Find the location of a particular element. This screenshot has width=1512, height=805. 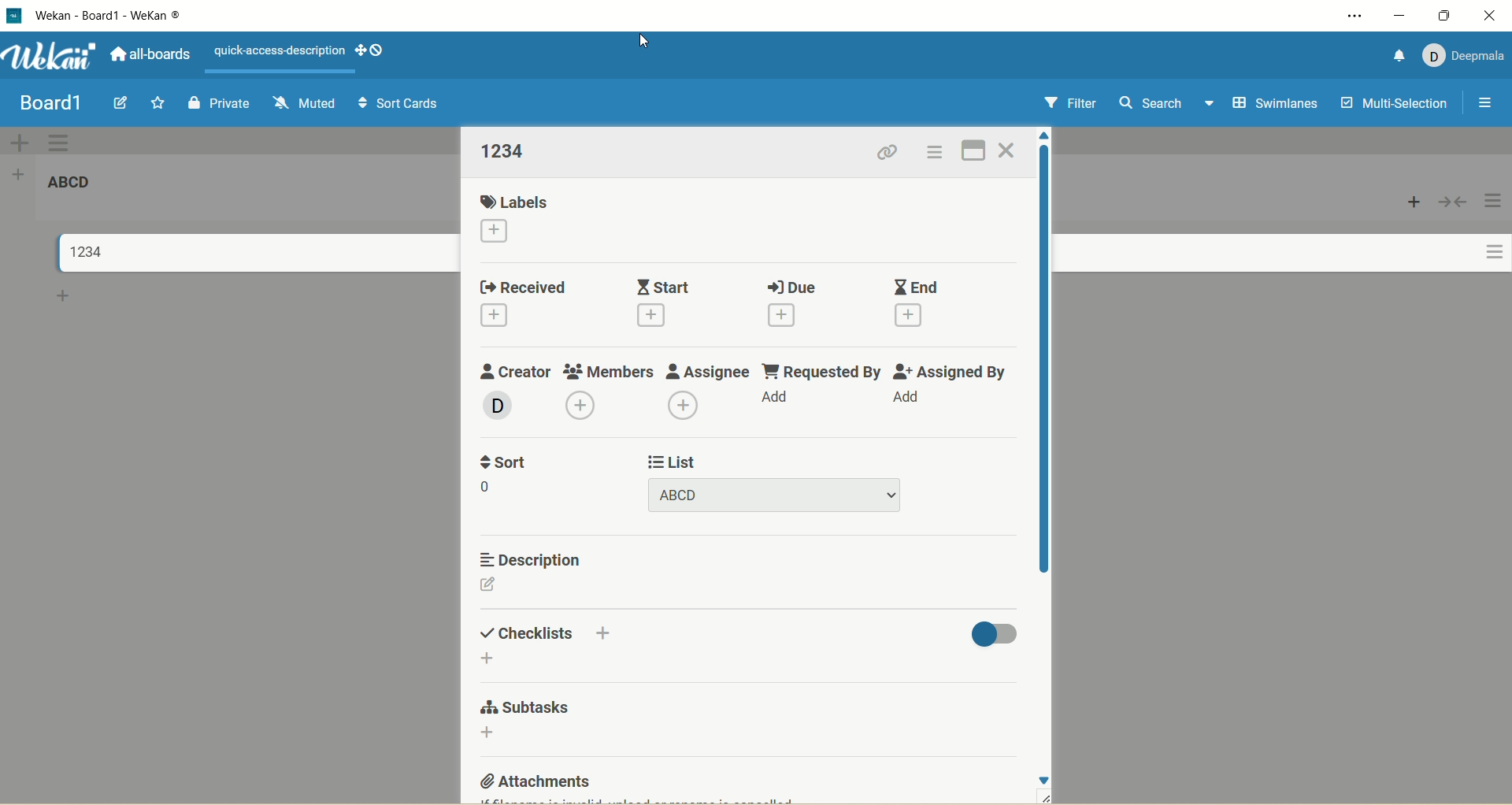

assignee is located at coordinates (707, 369).